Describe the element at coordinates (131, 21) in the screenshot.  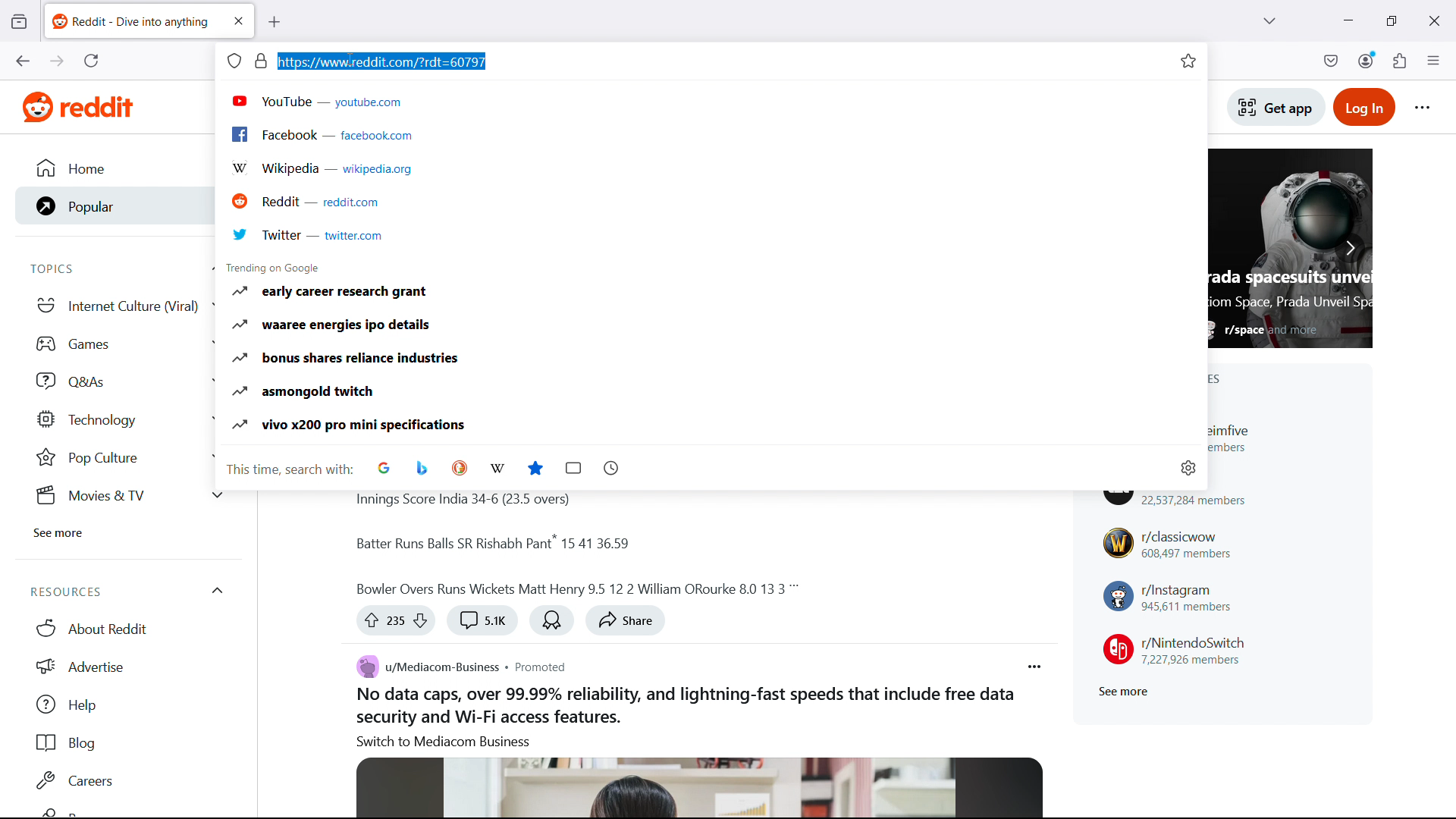
I see `tab title` at that location.